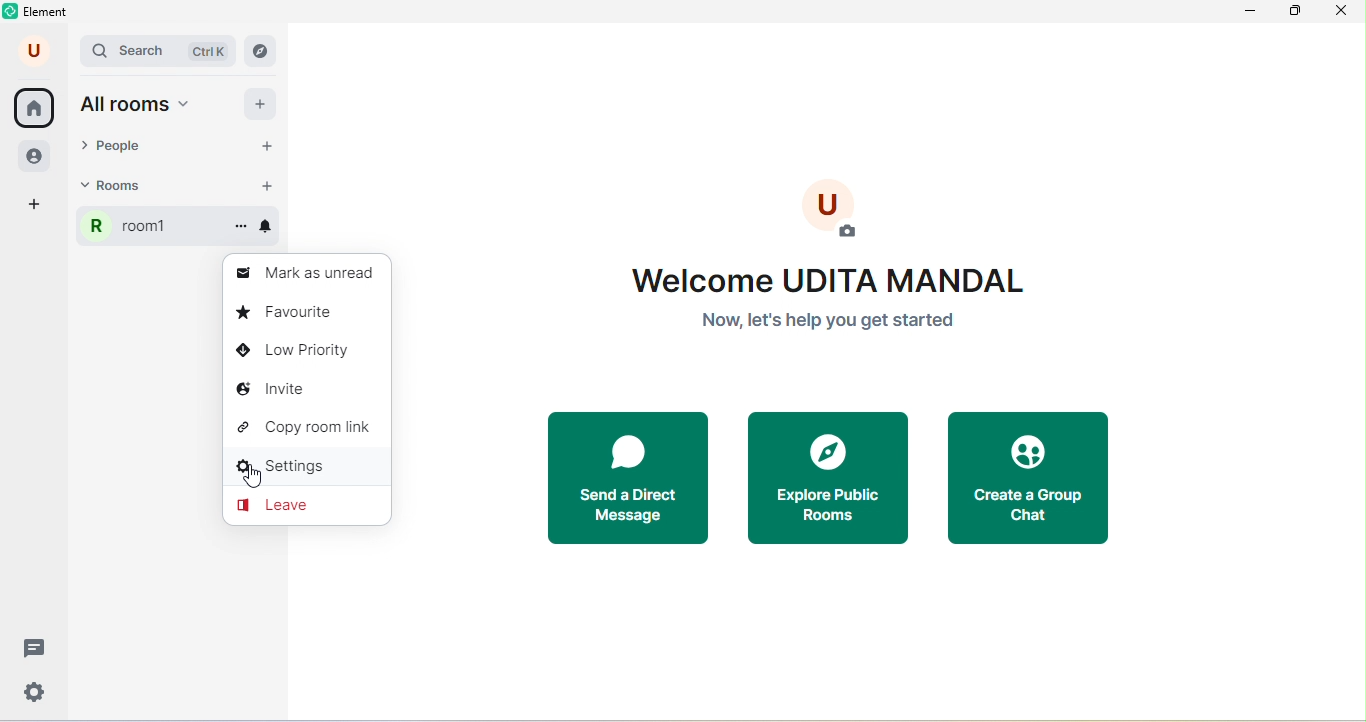 The height and width of the screenshot is (722, 1366). Describe the element at coordinates (36, 205) in the screenshot. I see `add space` at that location.